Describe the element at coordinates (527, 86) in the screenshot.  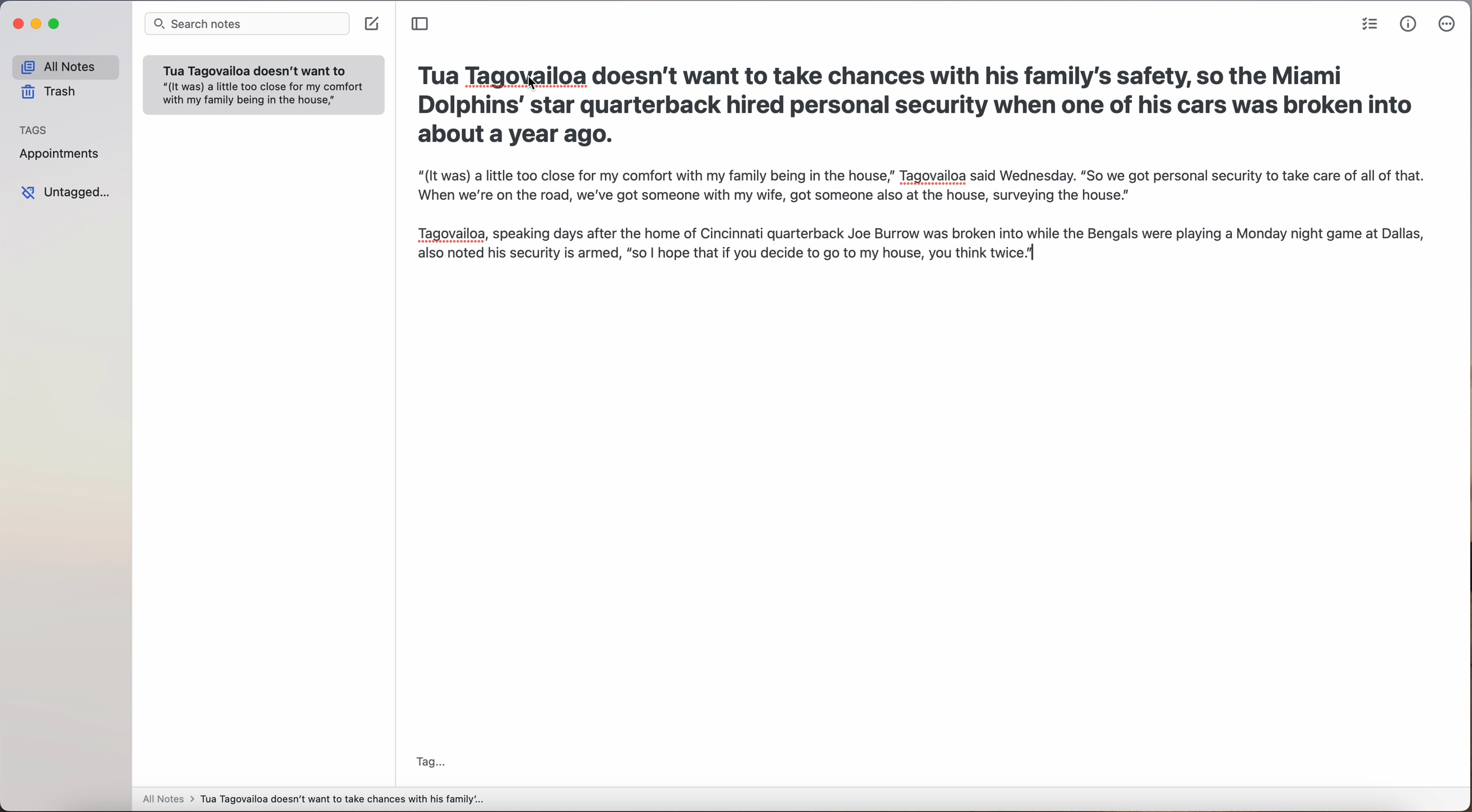
I see `cursor` at that location.